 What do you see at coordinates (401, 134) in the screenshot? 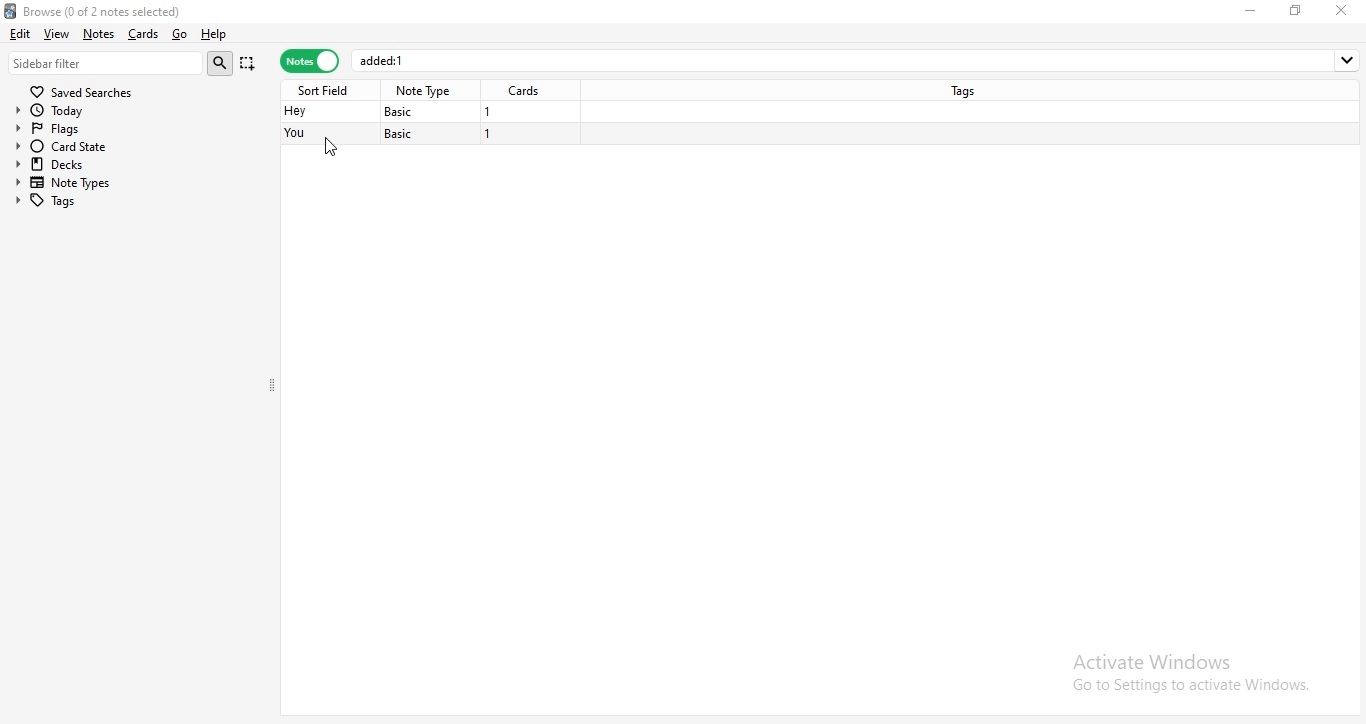
I see `basic` at bounding box center [401, 134].